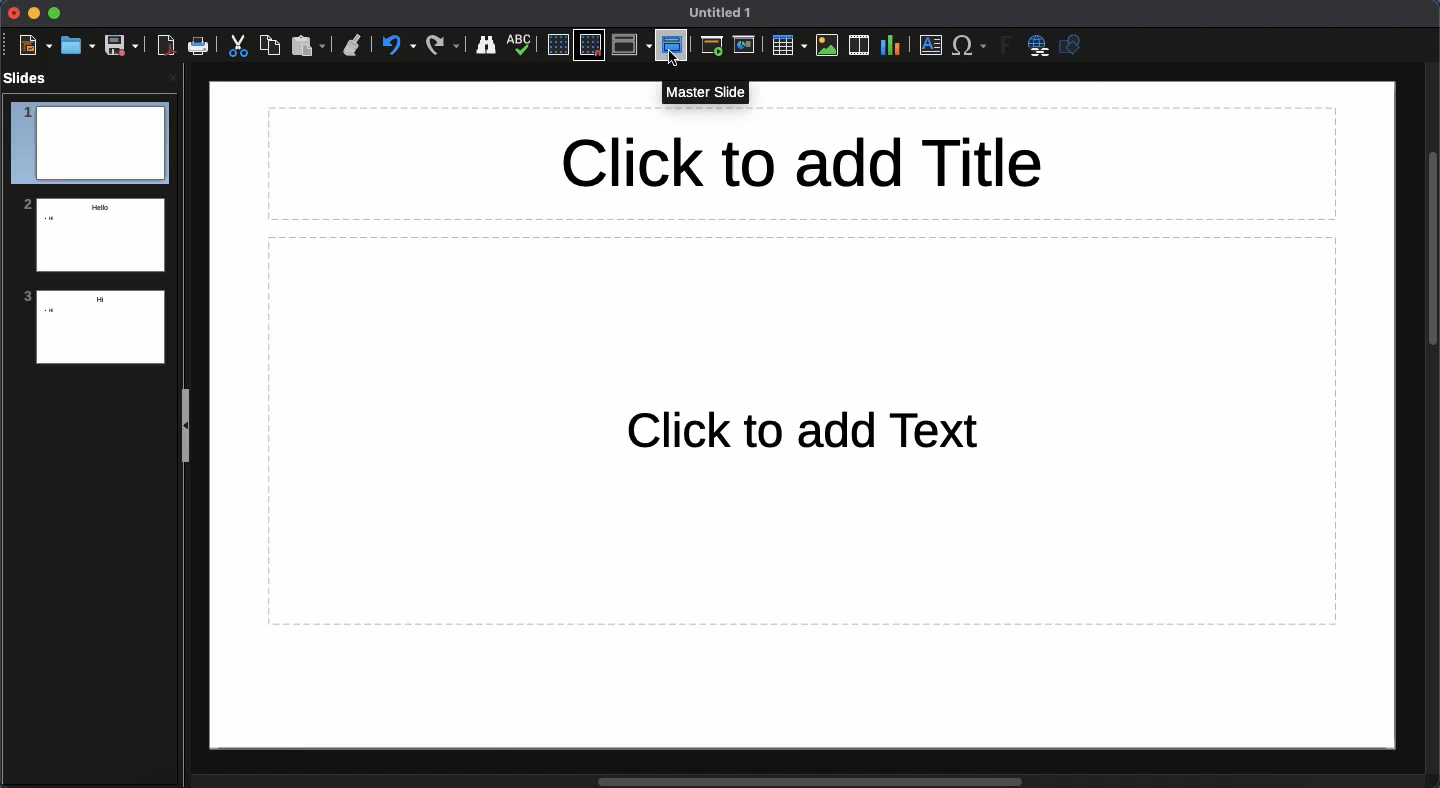 Image resolution: width=1440 pixels, height=788 pixels. I want to click on Display grid, so click(558, 45).